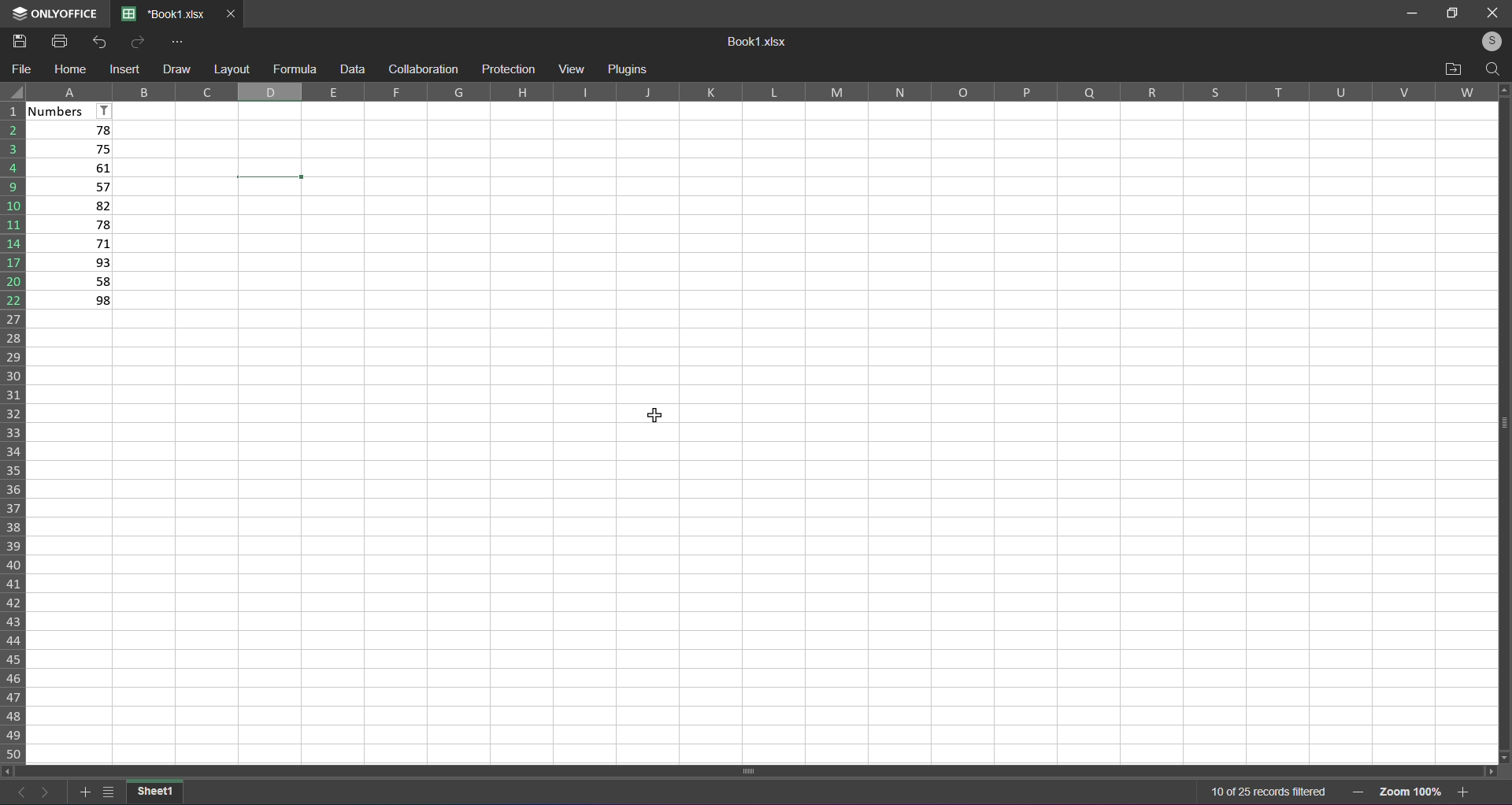  I want to click on Minimize, so click(1408, 12).